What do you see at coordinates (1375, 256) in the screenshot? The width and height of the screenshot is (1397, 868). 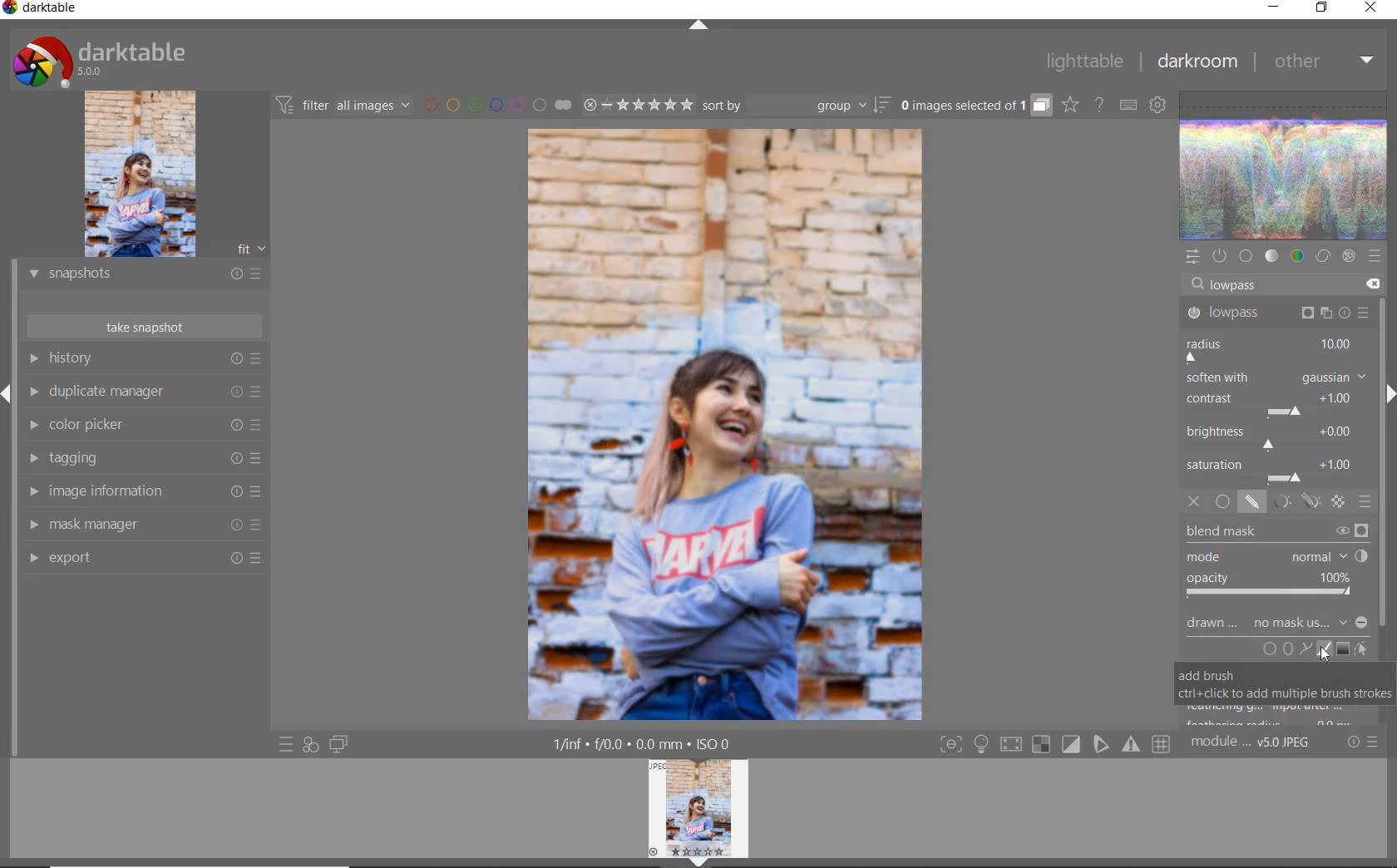 I see `presets` at bounding box center [1375, 256].